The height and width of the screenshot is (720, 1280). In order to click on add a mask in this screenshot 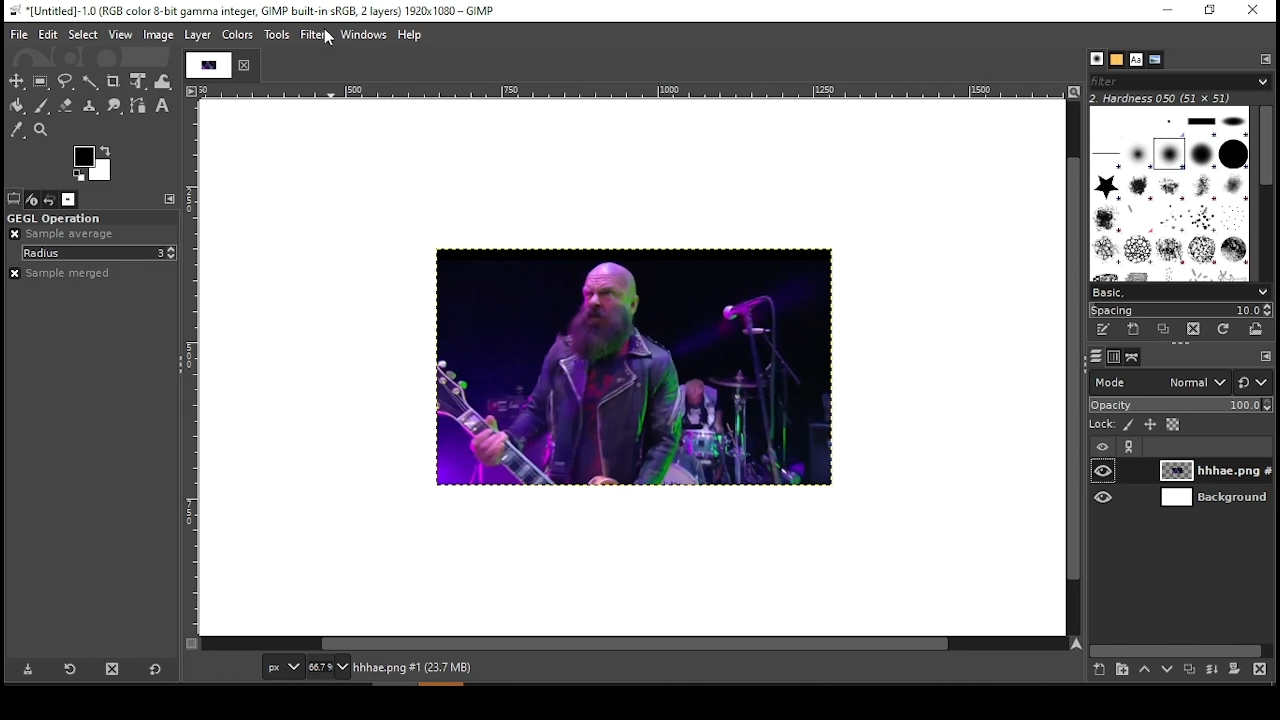, I will do `click(1234, 670)`.